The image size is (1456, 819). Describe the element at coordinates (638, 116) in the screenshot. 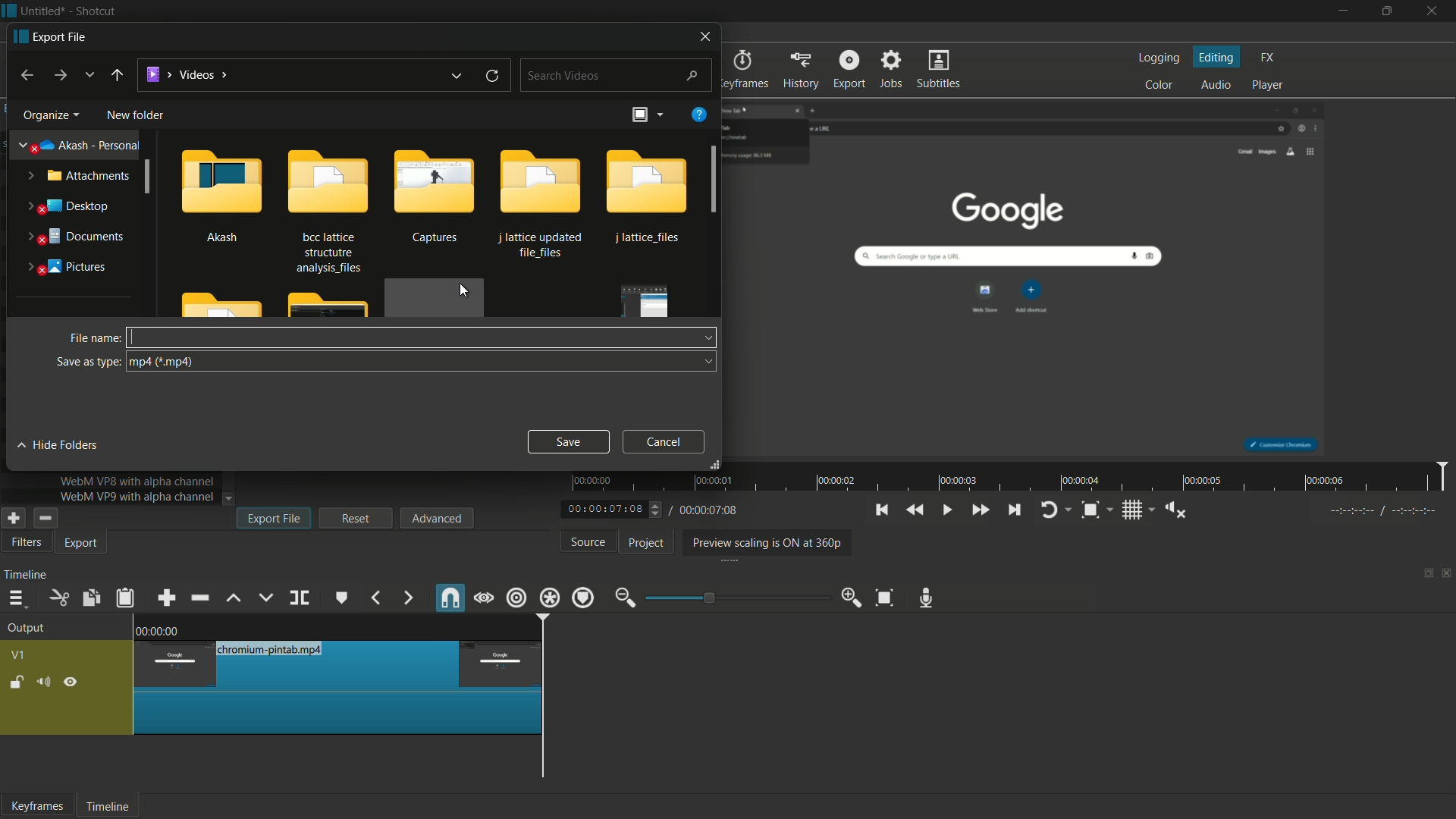

I see `change layout` at that location.